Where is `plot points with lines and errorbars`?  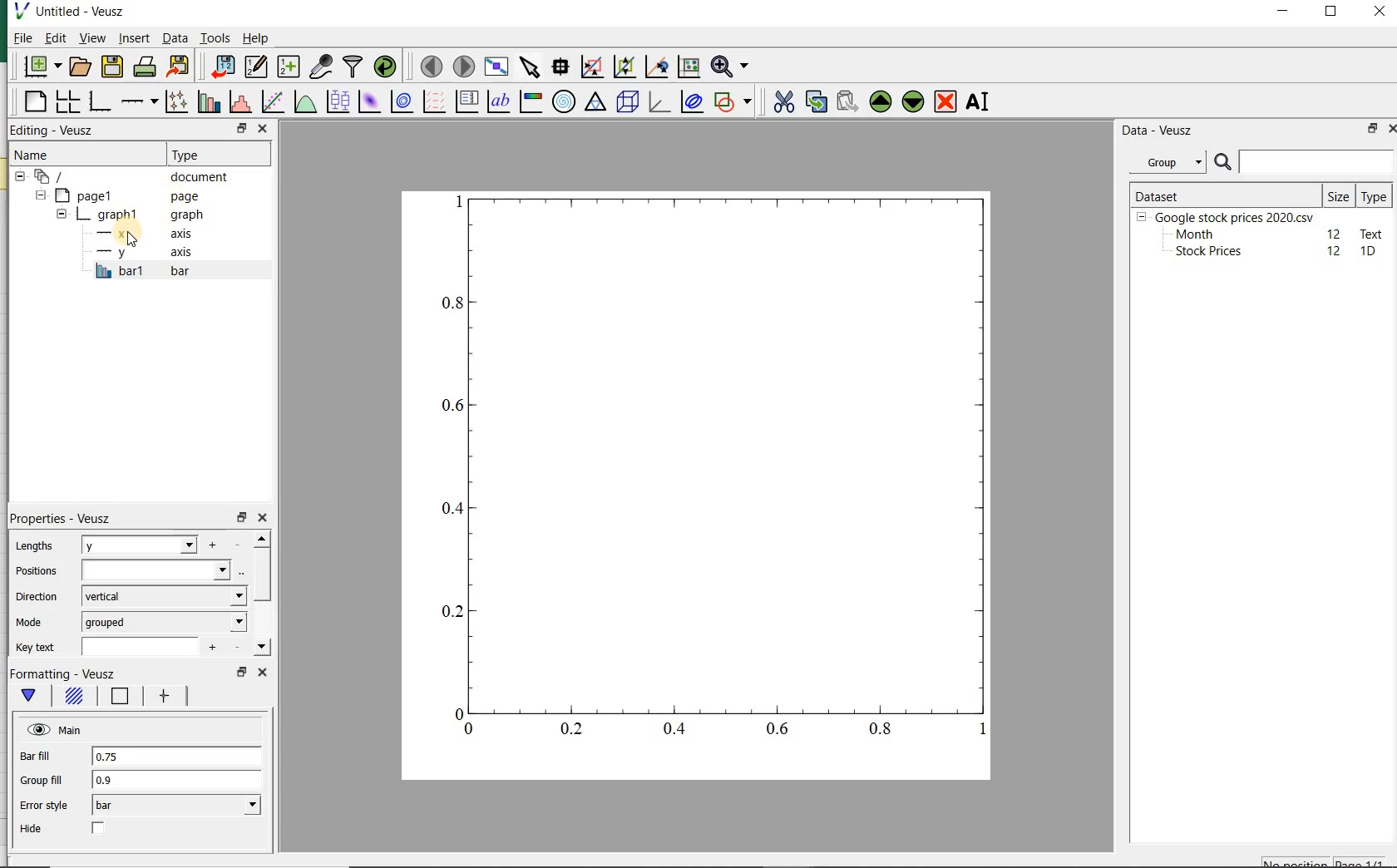
plot points with lines and errorbars is located at coordinates (173, 103).